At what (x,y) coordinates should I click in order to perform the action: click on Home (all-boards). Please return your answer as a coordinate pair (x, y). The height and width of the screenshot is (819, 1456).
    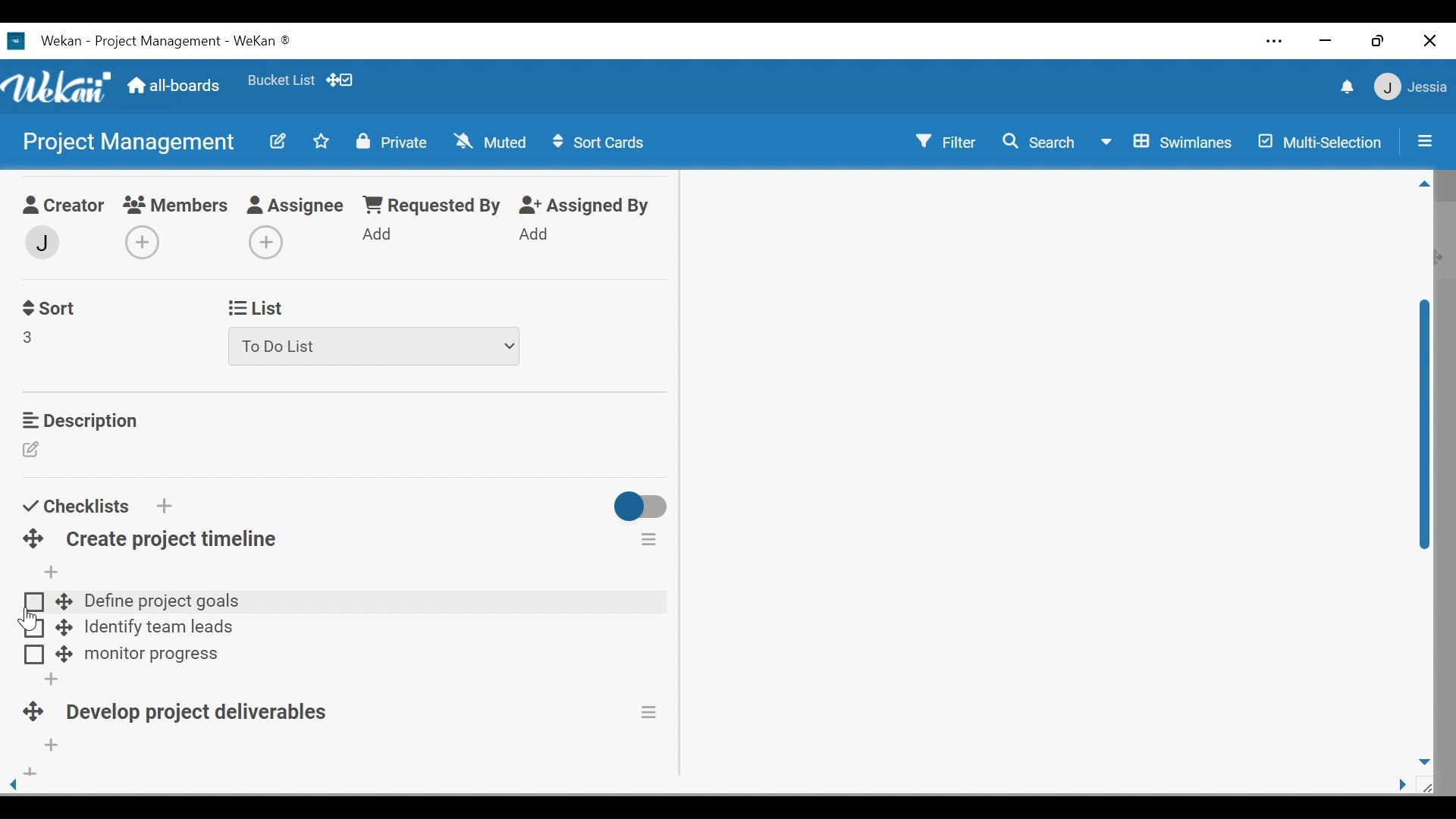
    Looking at the image, I should click on (176, 88).